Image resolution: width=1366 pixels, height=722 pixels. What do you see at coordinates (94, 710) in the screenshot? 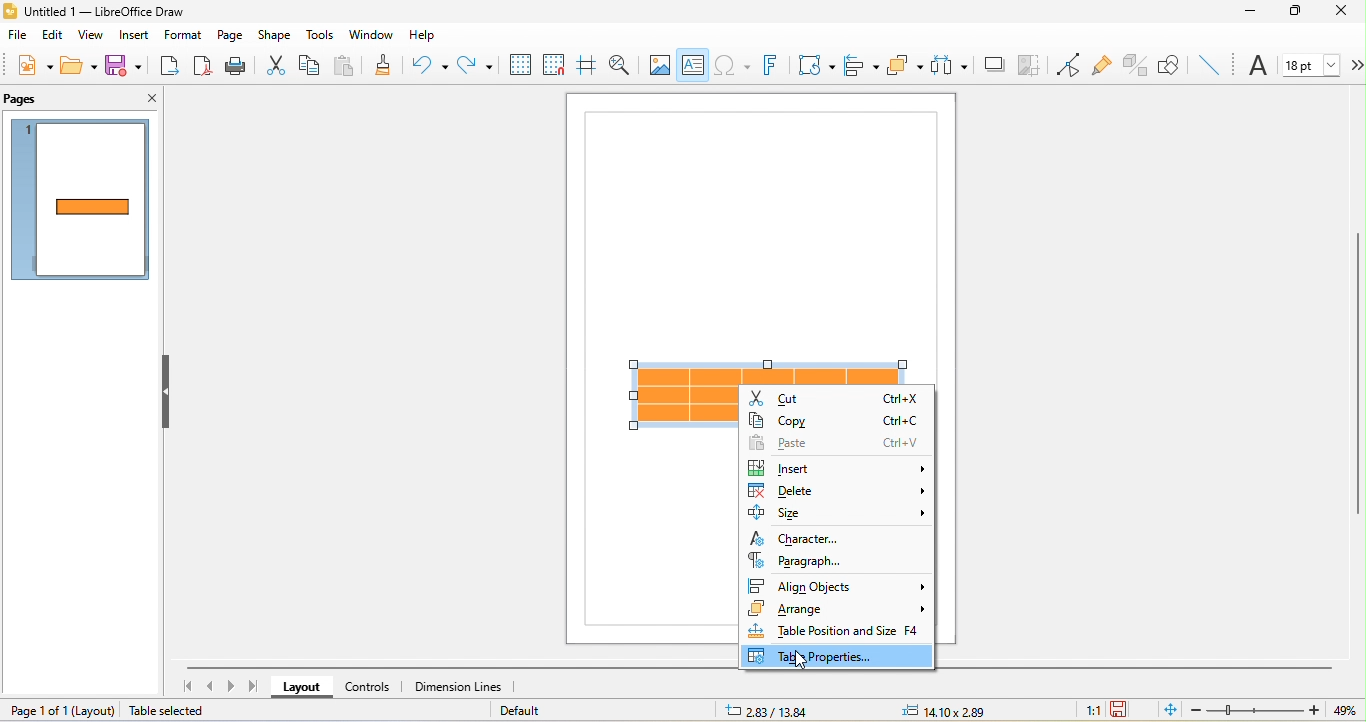
I see `layout` at bounding box center [94, 710].